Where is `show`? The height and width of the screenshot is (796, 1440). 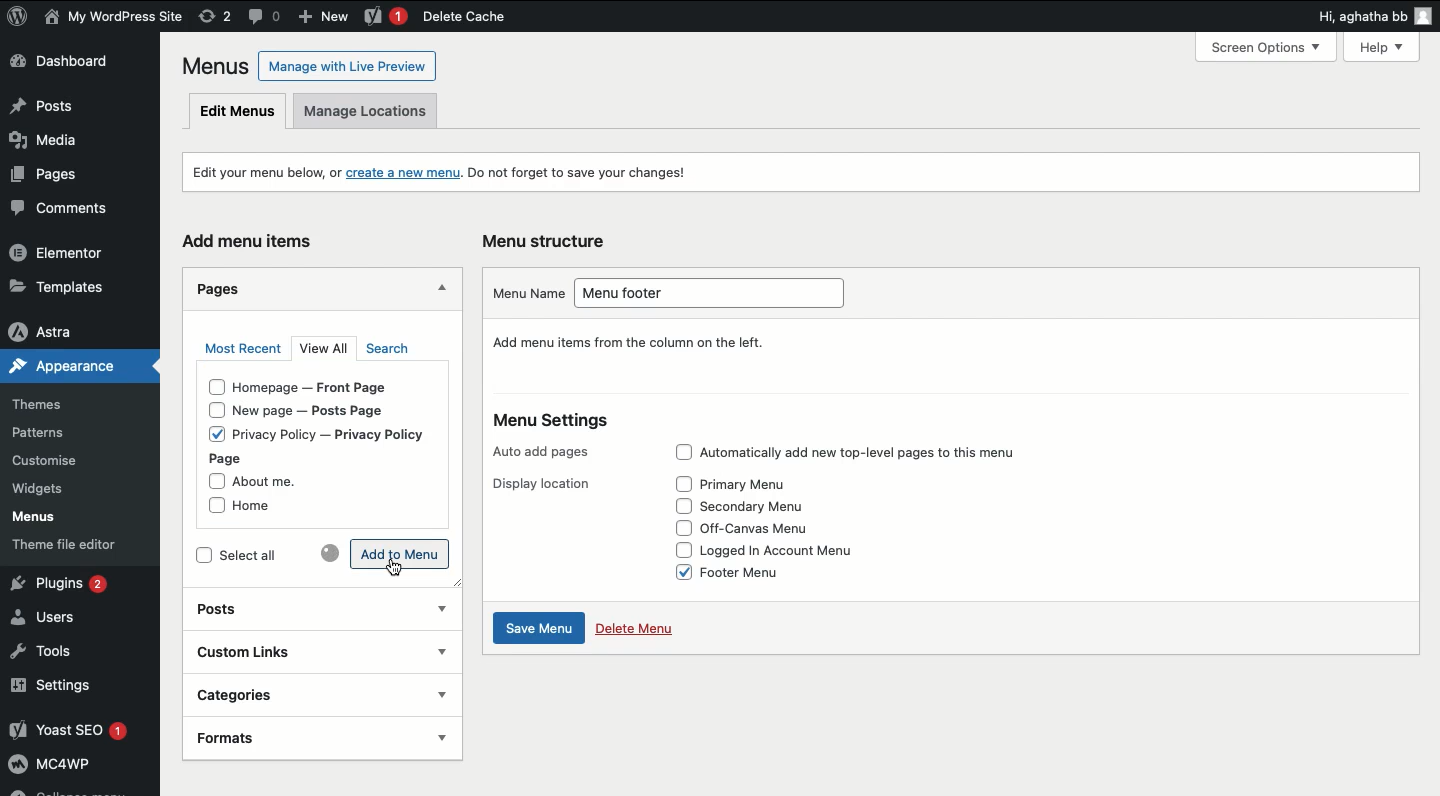
show is located at coordinates (440, 651).